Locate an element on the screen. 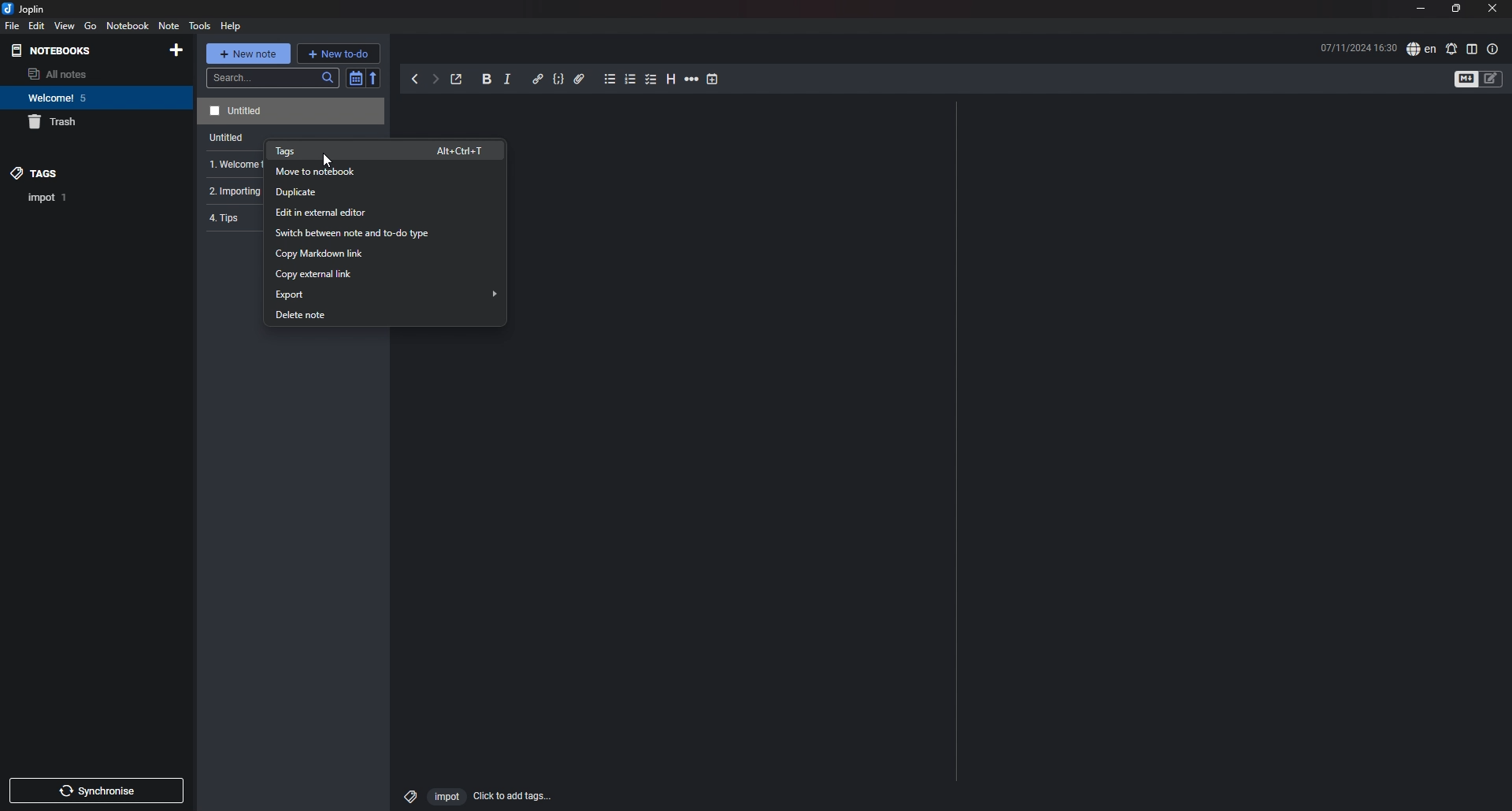 The width and height of the screenshot is (1512, 811). Untitled is located at coordinates (288, 111).